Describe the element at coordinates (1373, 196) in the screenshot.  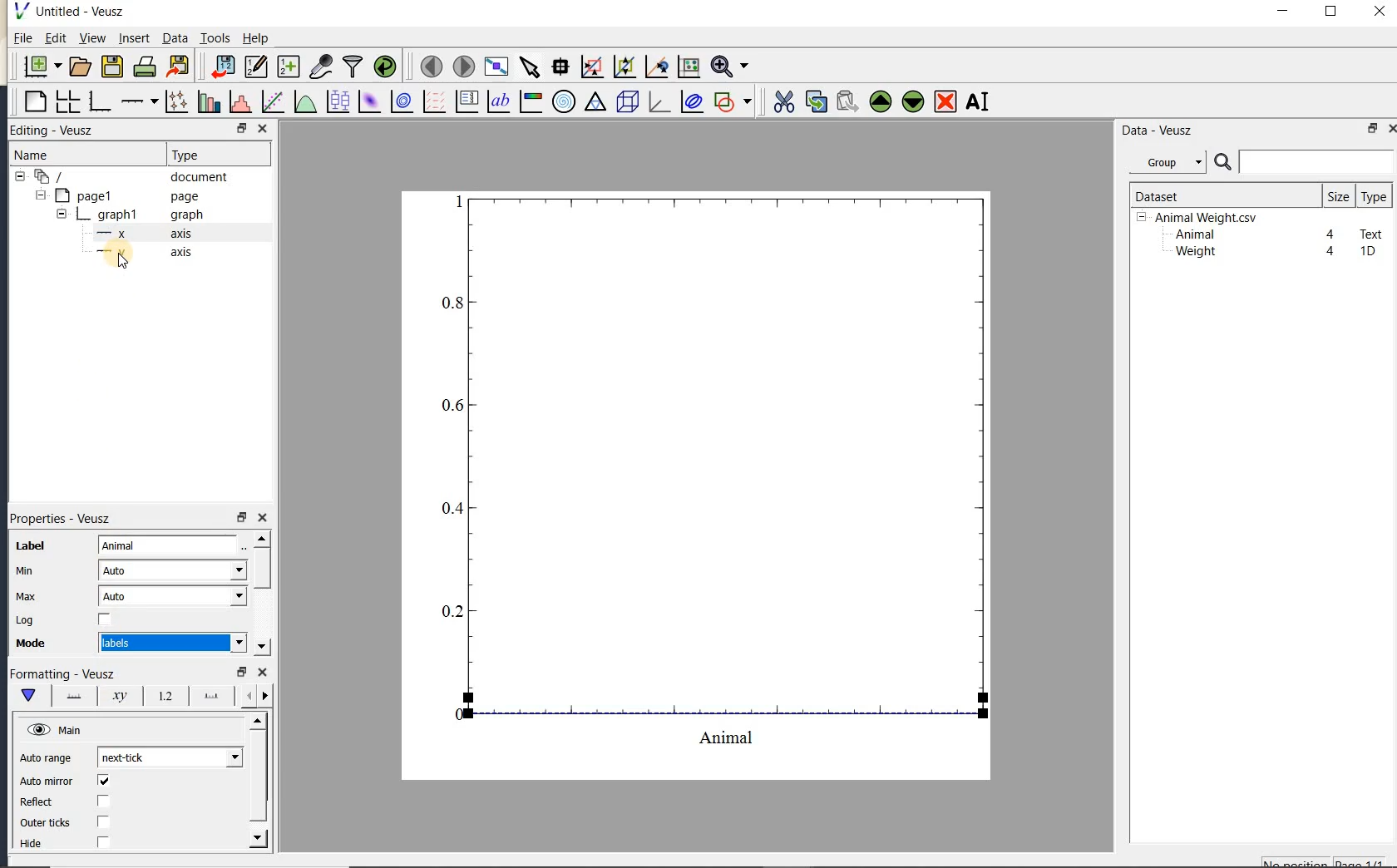
I see `type` at that location.